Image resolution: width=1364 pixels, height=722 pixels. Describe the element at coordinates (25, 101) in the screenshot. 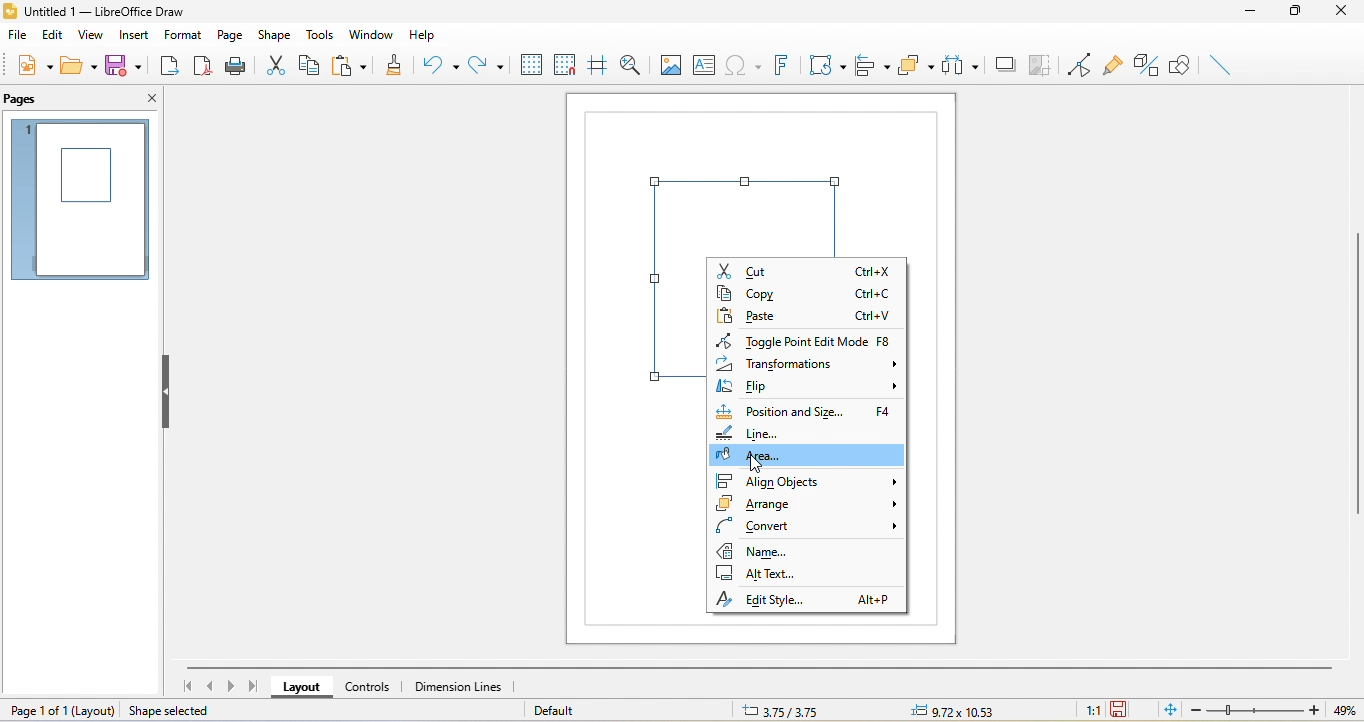

I see `pages` at that location.